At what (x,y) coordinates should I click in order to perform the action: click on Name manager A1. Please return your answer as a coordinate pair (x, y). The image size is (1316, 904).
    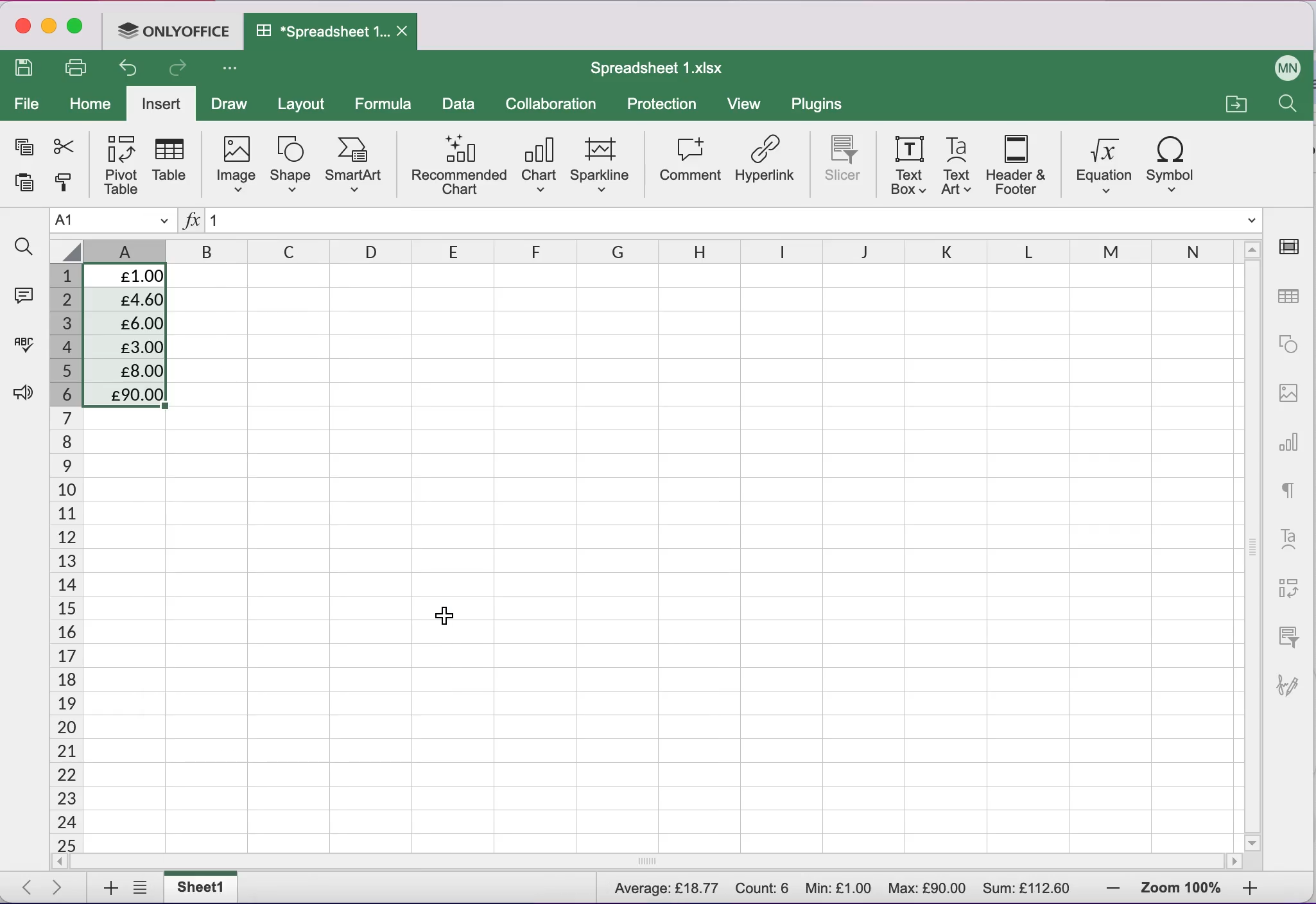
    Looking at the image, I should click on (112, 222).